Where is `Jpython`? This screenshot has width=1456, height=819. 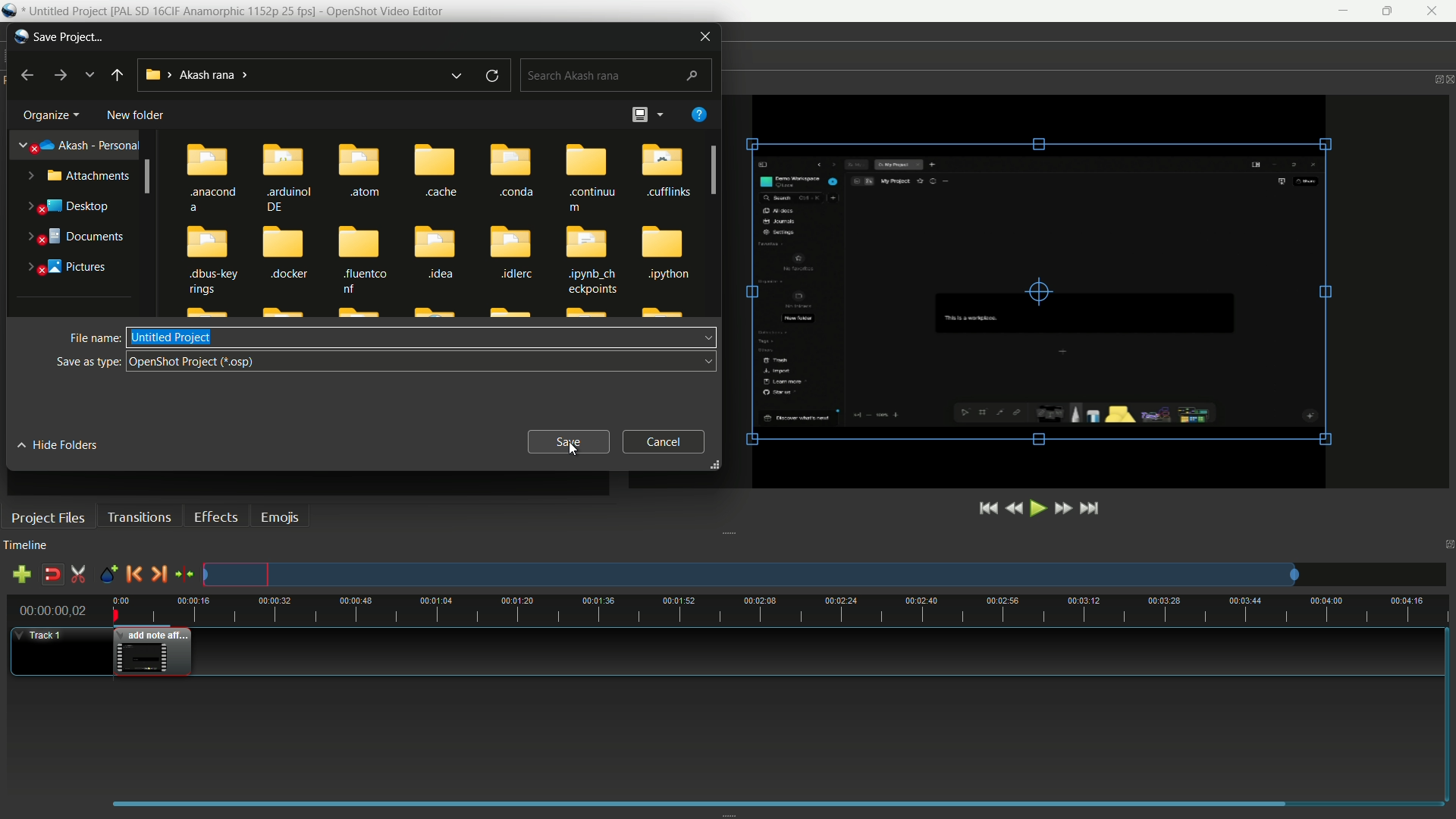 Jpython is located at coordinates (667, 255).